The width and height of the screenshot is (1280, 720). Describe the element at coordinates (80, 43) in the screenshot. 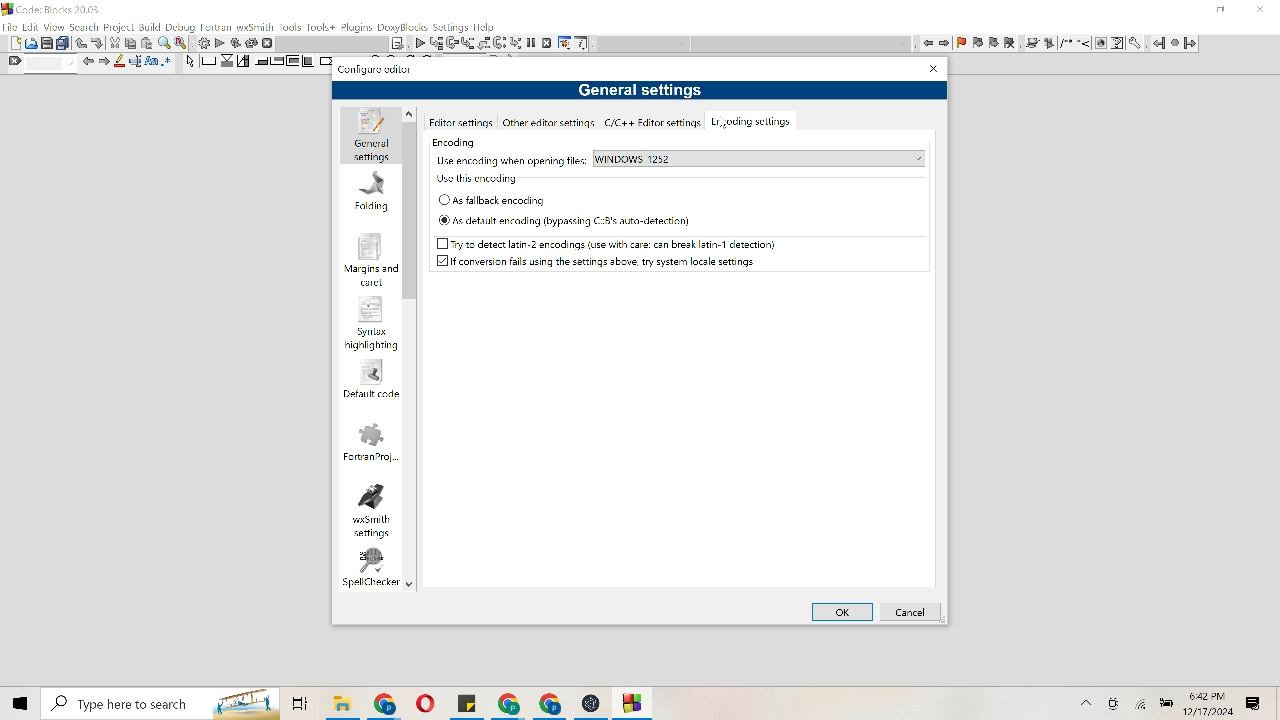

I see `Move up or down` at that location.